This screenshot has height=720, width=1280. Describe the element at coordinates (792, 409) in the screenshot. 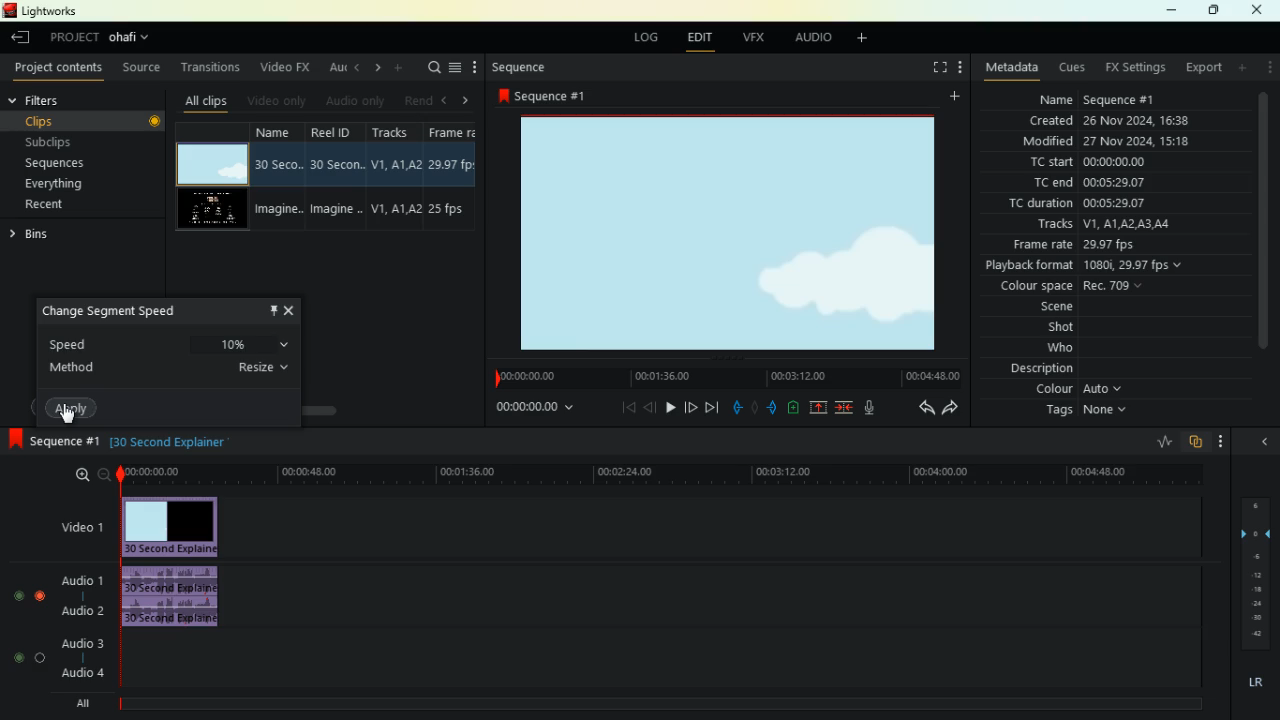

I see `battery` at that location.